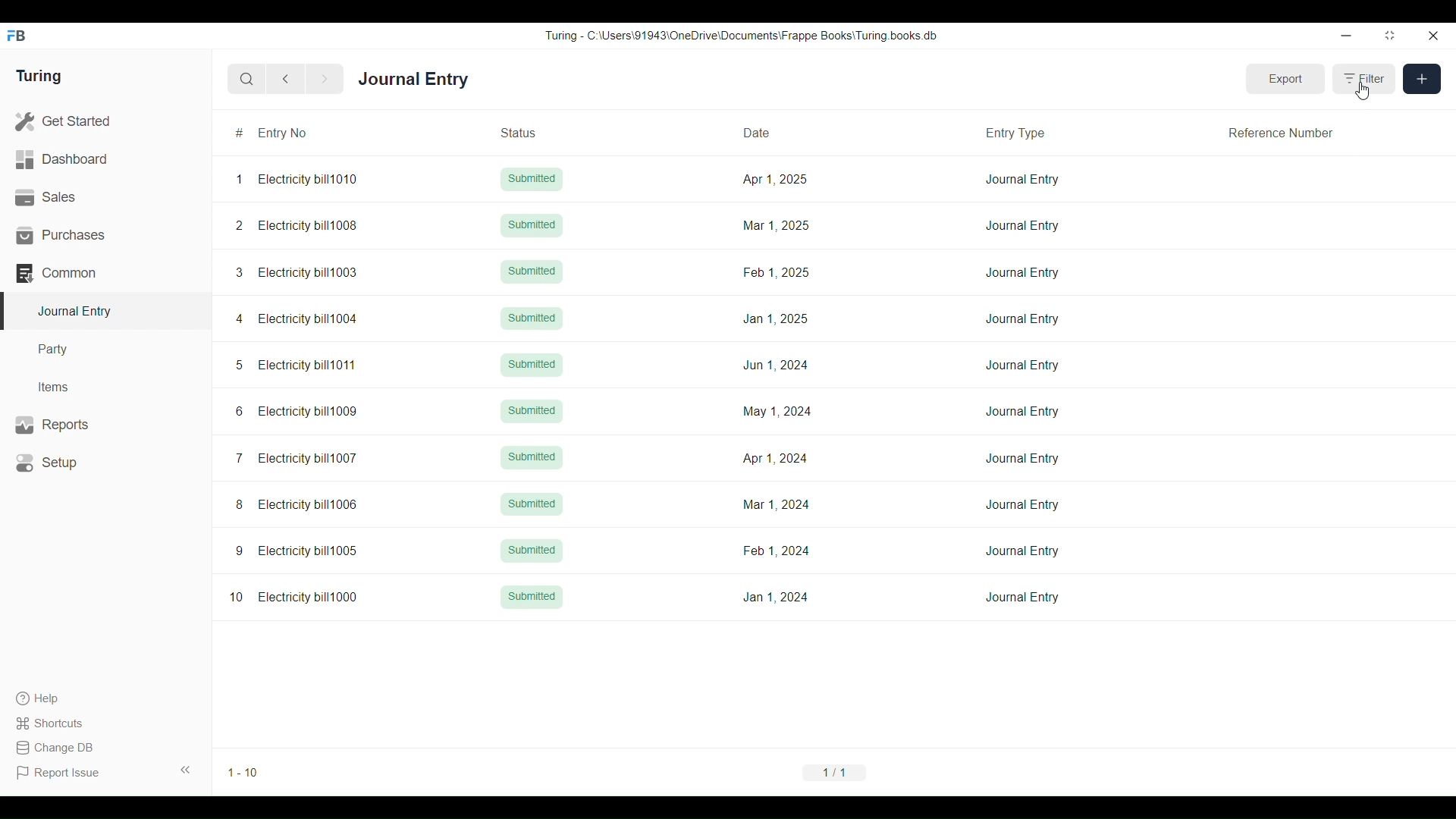  Describe the element at coordinates (1022, 226) in the screenshot. I see `Journal Entry` at that location.